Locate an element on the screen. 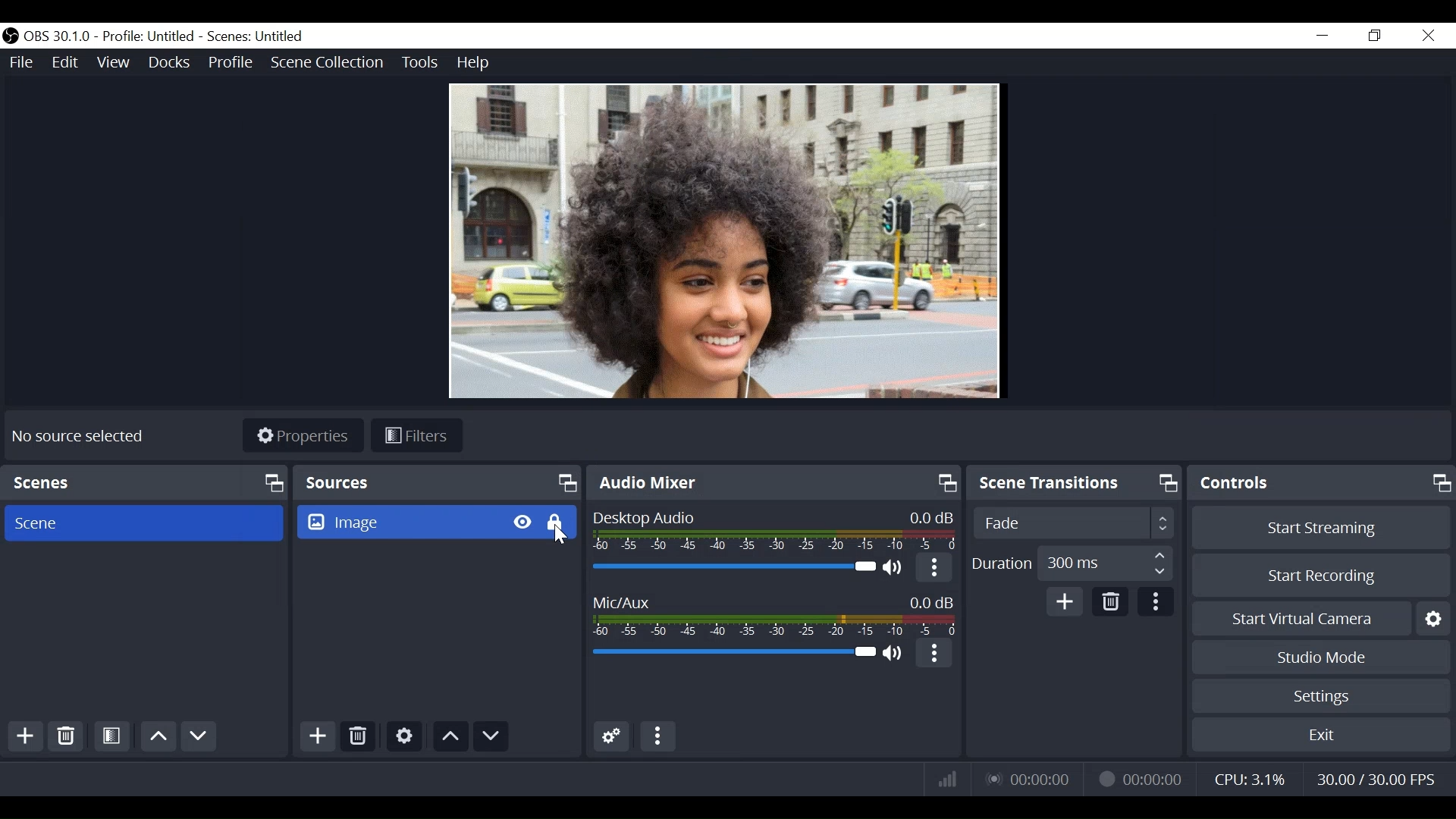 Image resolution: width=1456 pixels, height=819 pixels. Settings is located at coordinates (1318, 697).